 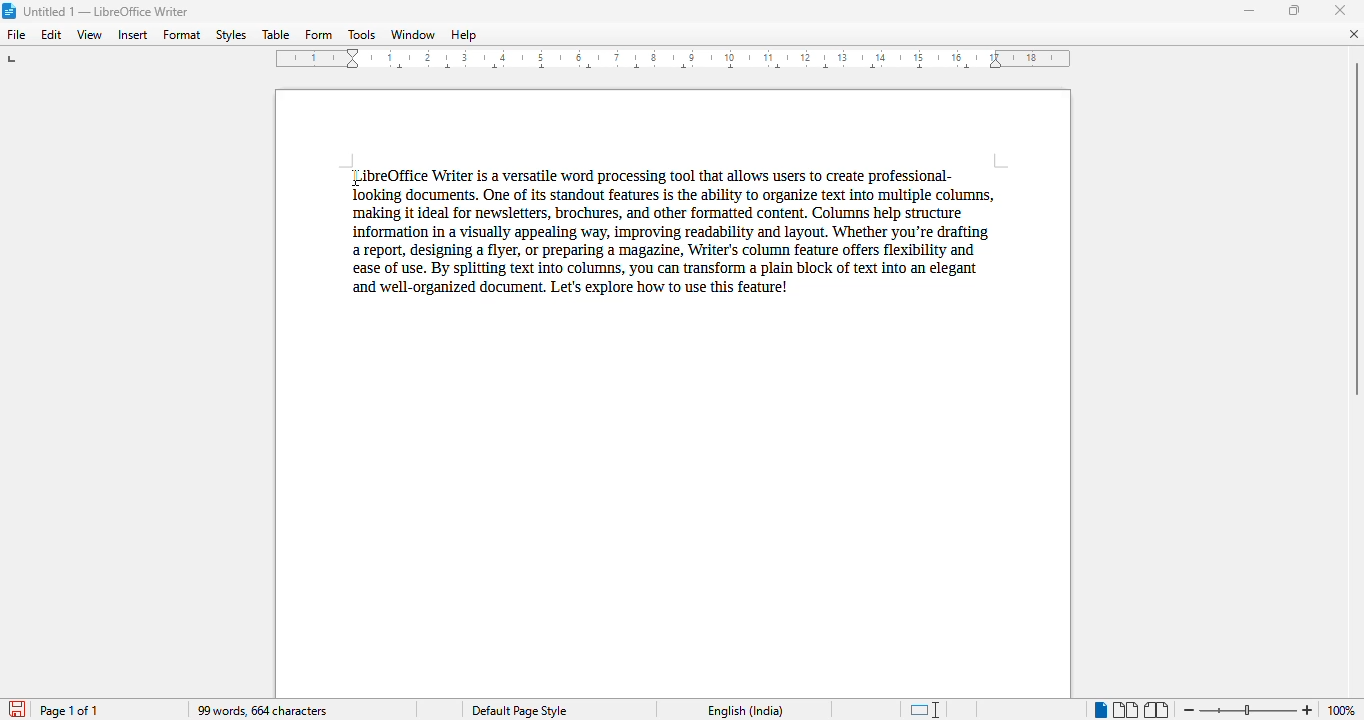 What do you see at coordinates (413, 34) in the screenshot?
I see `window` at bounding box center [413, 34].